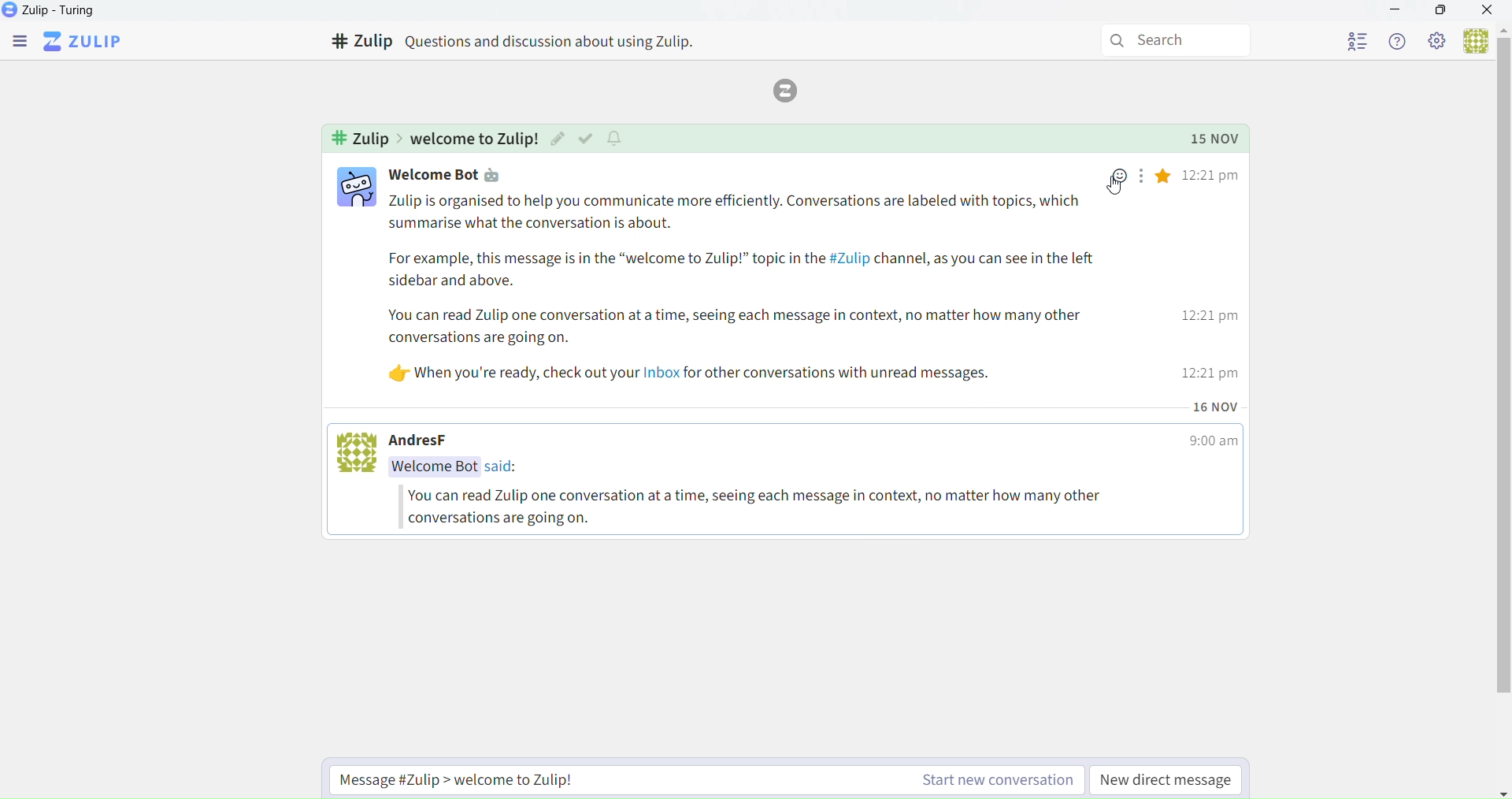  Describe the element at coordinates (1168, 779) in the screenshot. I see `New direct message` at that location.